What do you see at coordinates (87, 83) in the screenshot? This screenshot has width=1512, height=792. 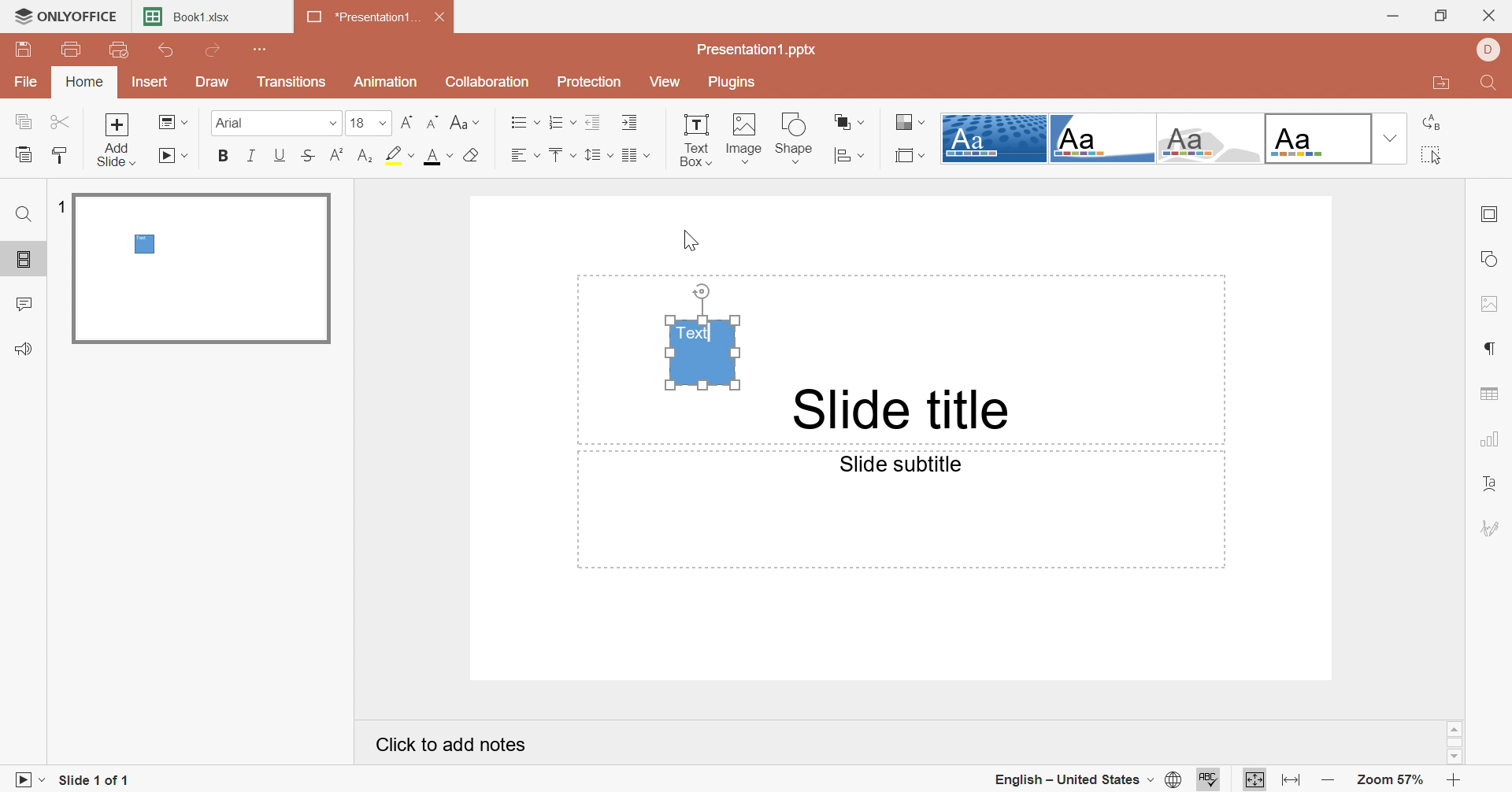 I see `Home` at bounding box center [87, 83].